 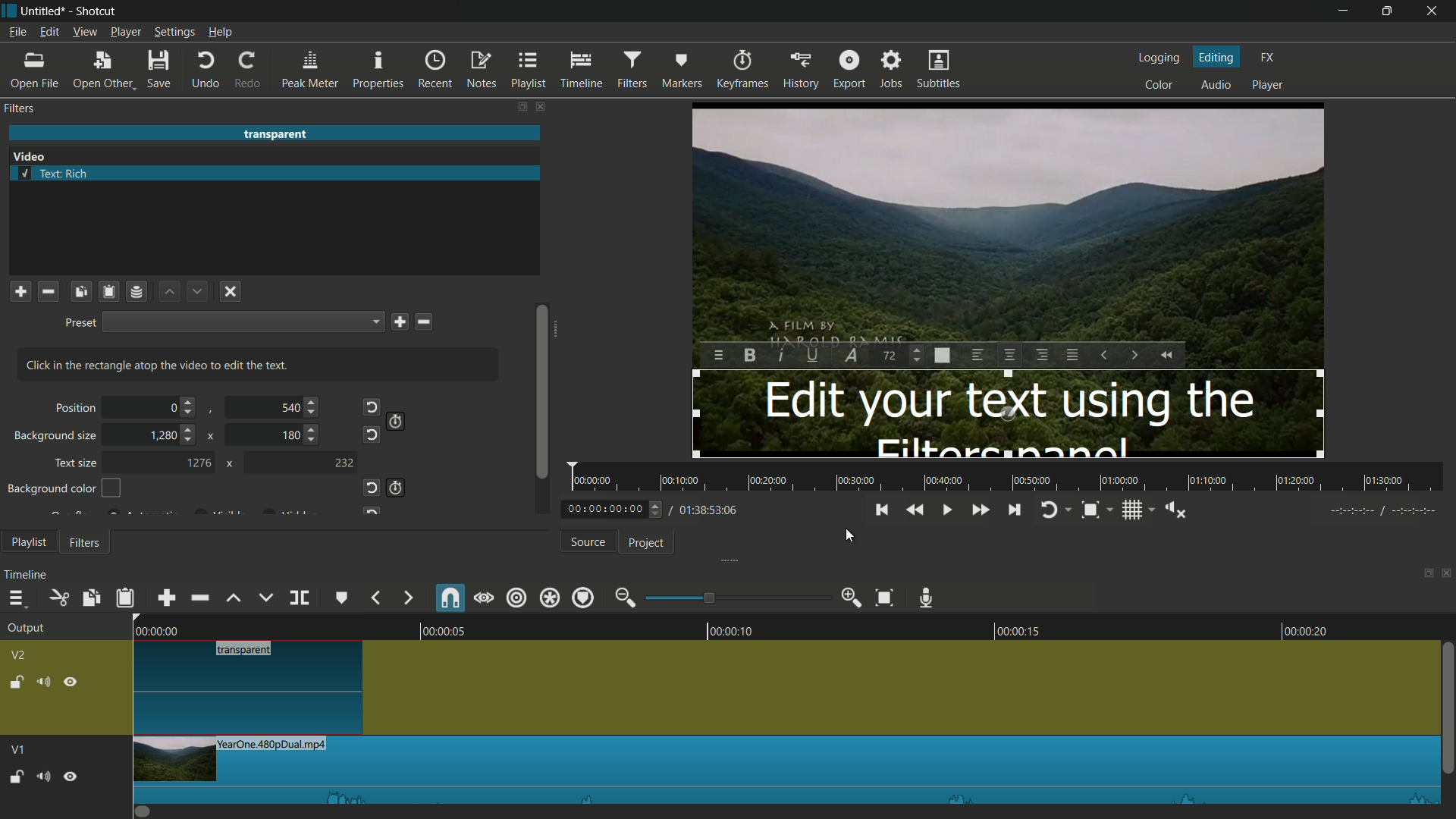 What do you see at coordinates (1048, 510) in the screenshot?
I see `toggle player looping` at bounding box center [1048, 510].